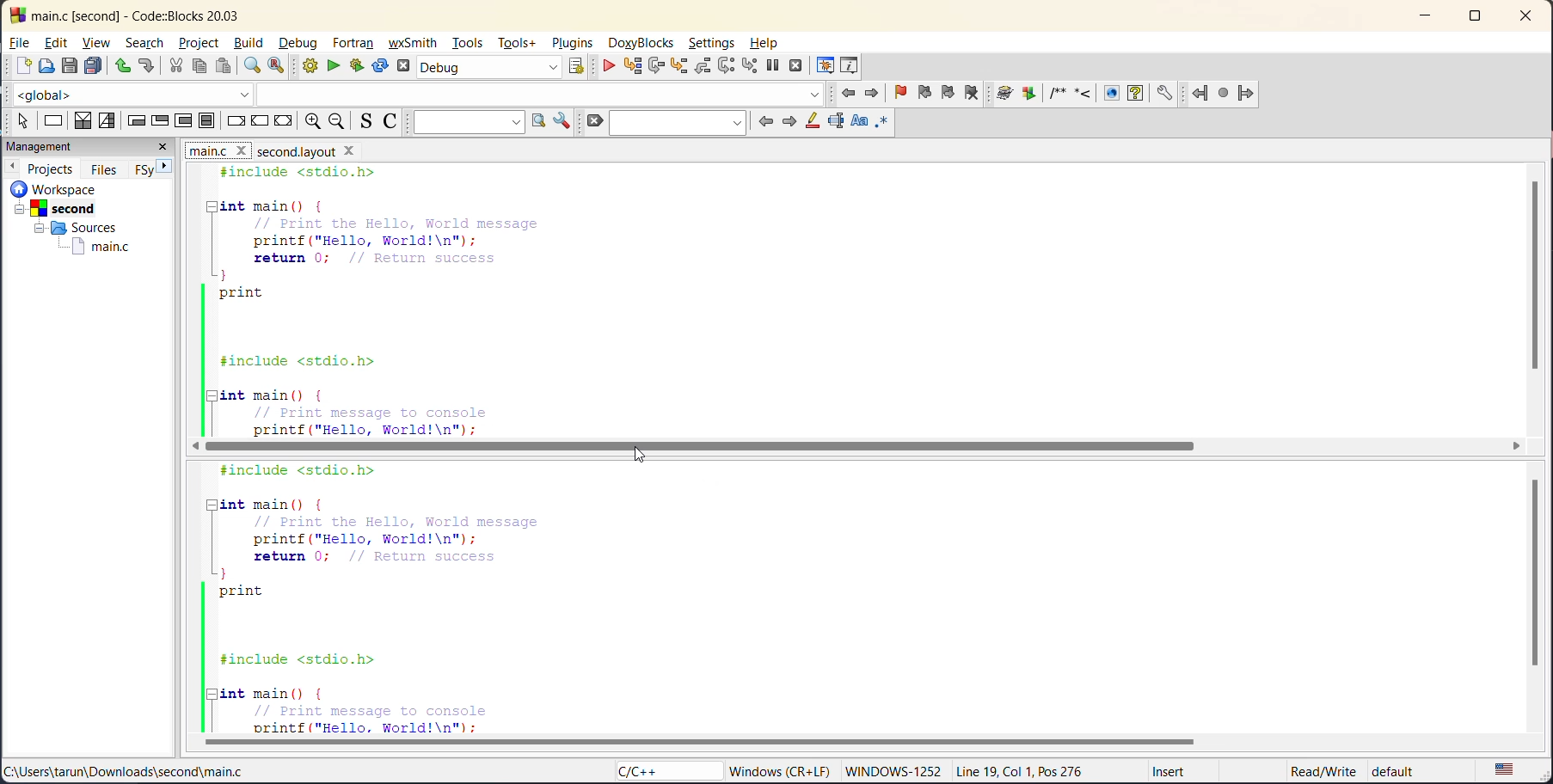  What do you see at coordinates (796, 67) in the screenshot?
I see `stop debugger` at bounding box center [796, 67].